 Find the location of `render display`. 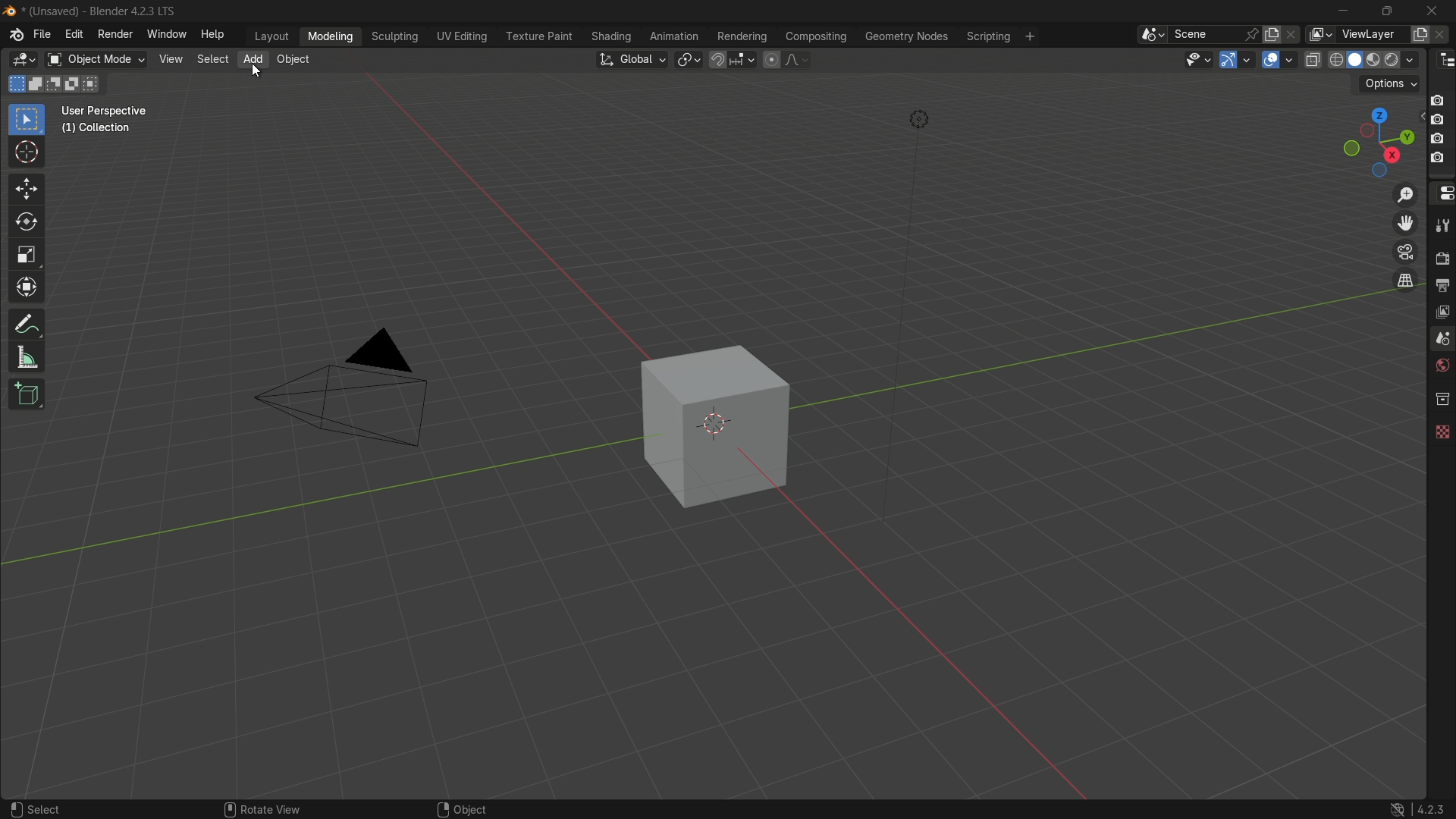

render display is located at coordinates (1401, 58).